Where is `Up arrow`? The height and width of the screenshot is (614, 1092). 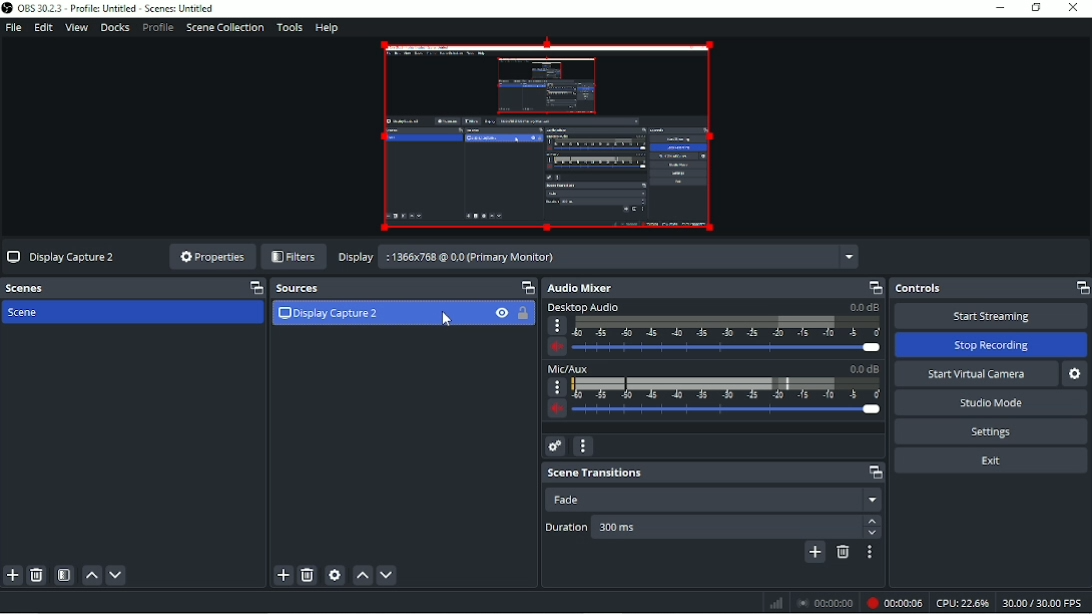
Up arrow is located at coordinates (871, 521).